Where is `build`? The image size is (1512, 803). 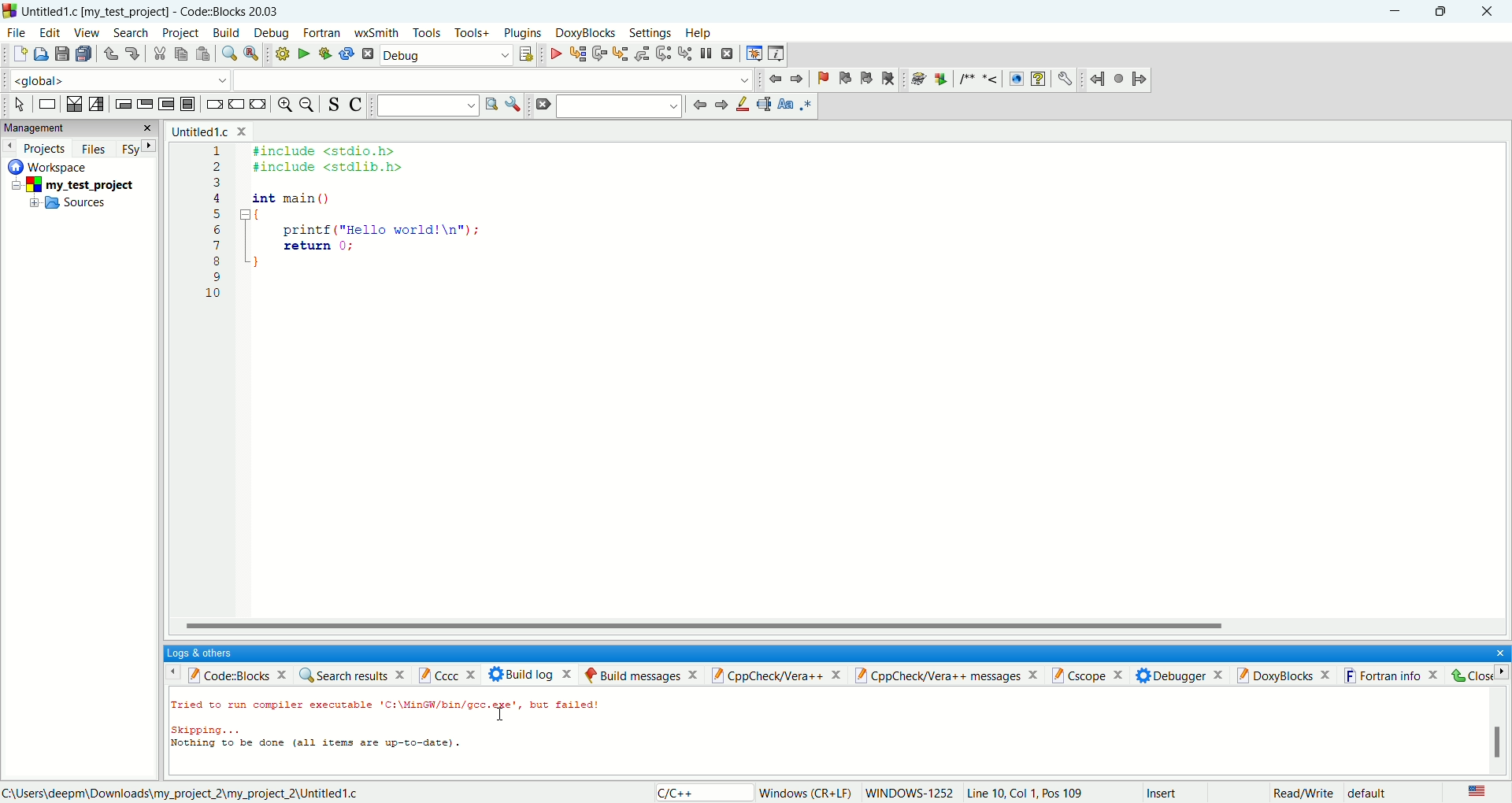
build is located at coordinates (280, 54).